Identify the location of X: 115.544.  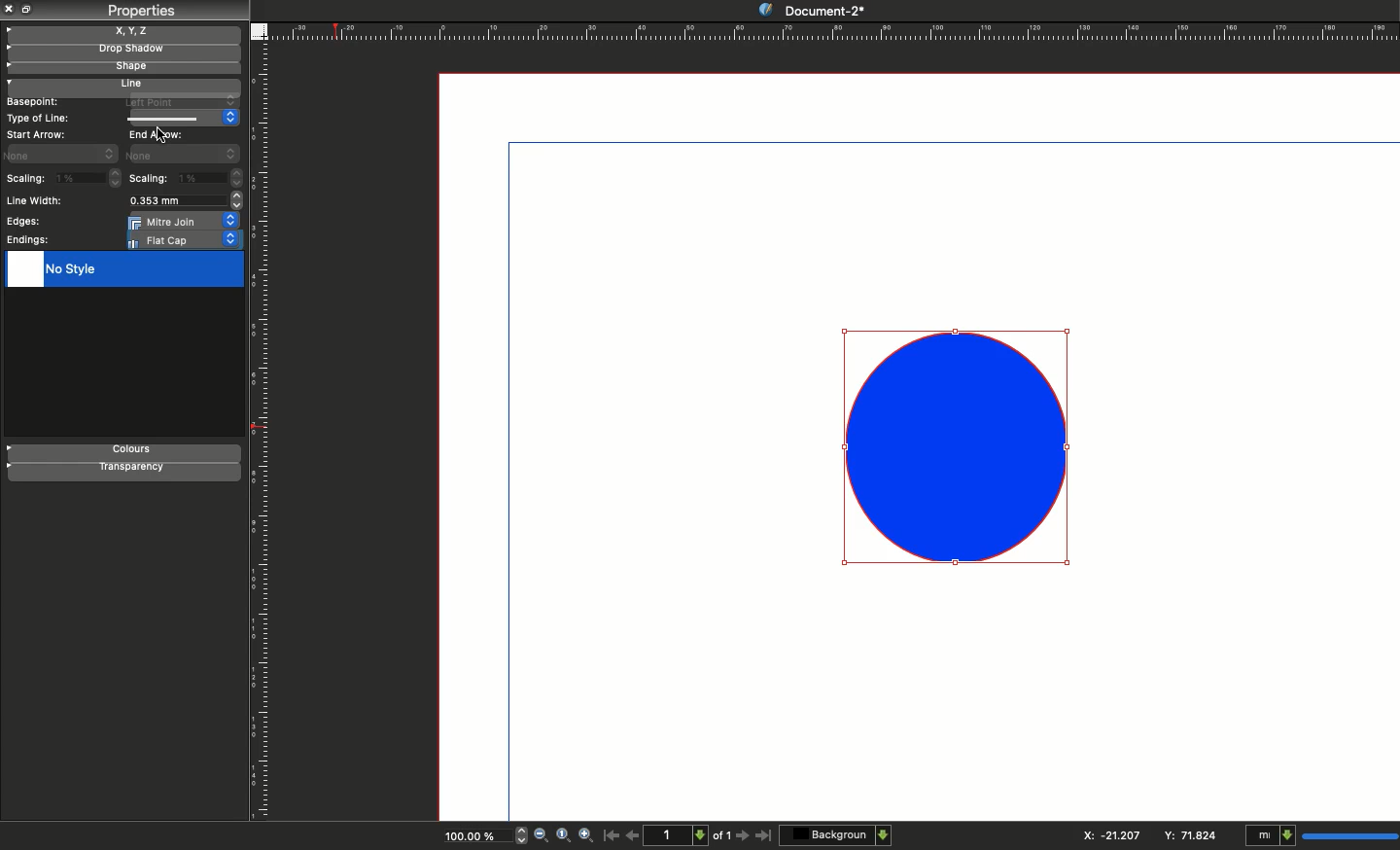
(1105, 835).